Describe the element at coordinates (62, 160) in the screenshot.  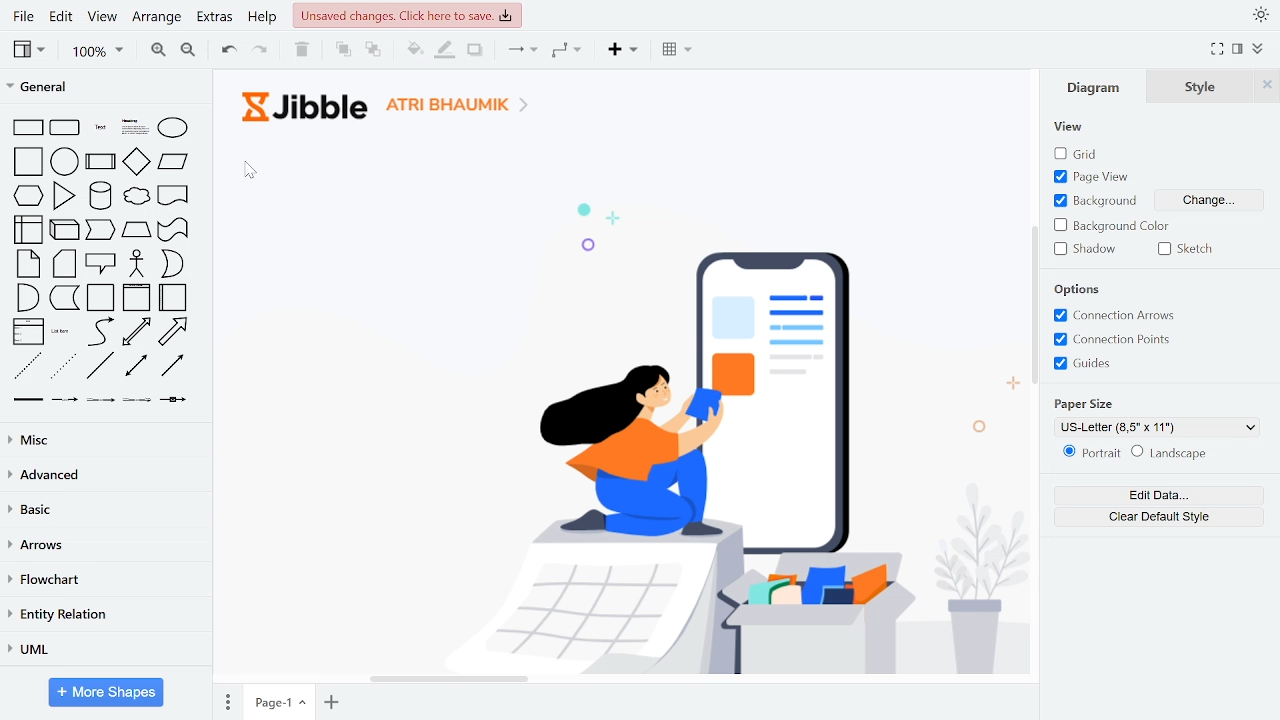
I see `general shapes` at that location.